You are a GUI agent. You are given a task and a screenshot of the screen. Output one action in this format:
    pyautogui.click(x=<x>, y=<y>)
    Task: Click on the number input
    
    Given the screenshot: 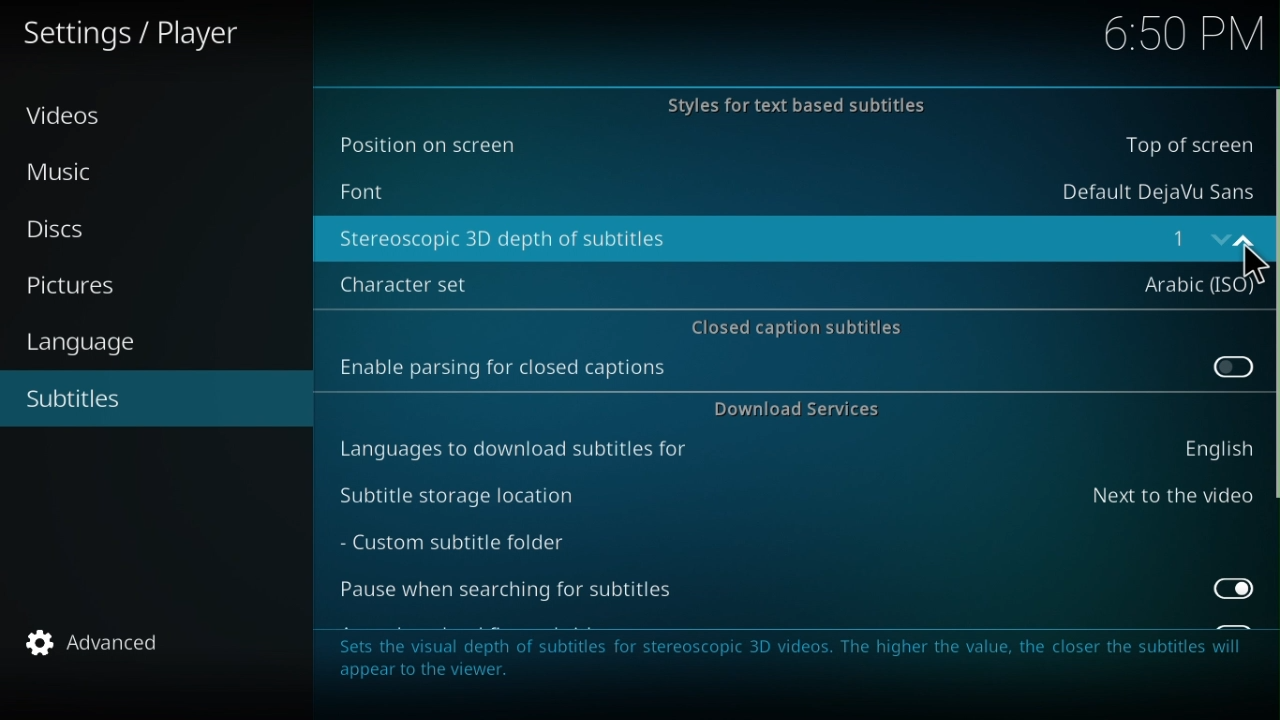 What is the action you would take?
    pyautogui.click(x=1197, y=237)
    